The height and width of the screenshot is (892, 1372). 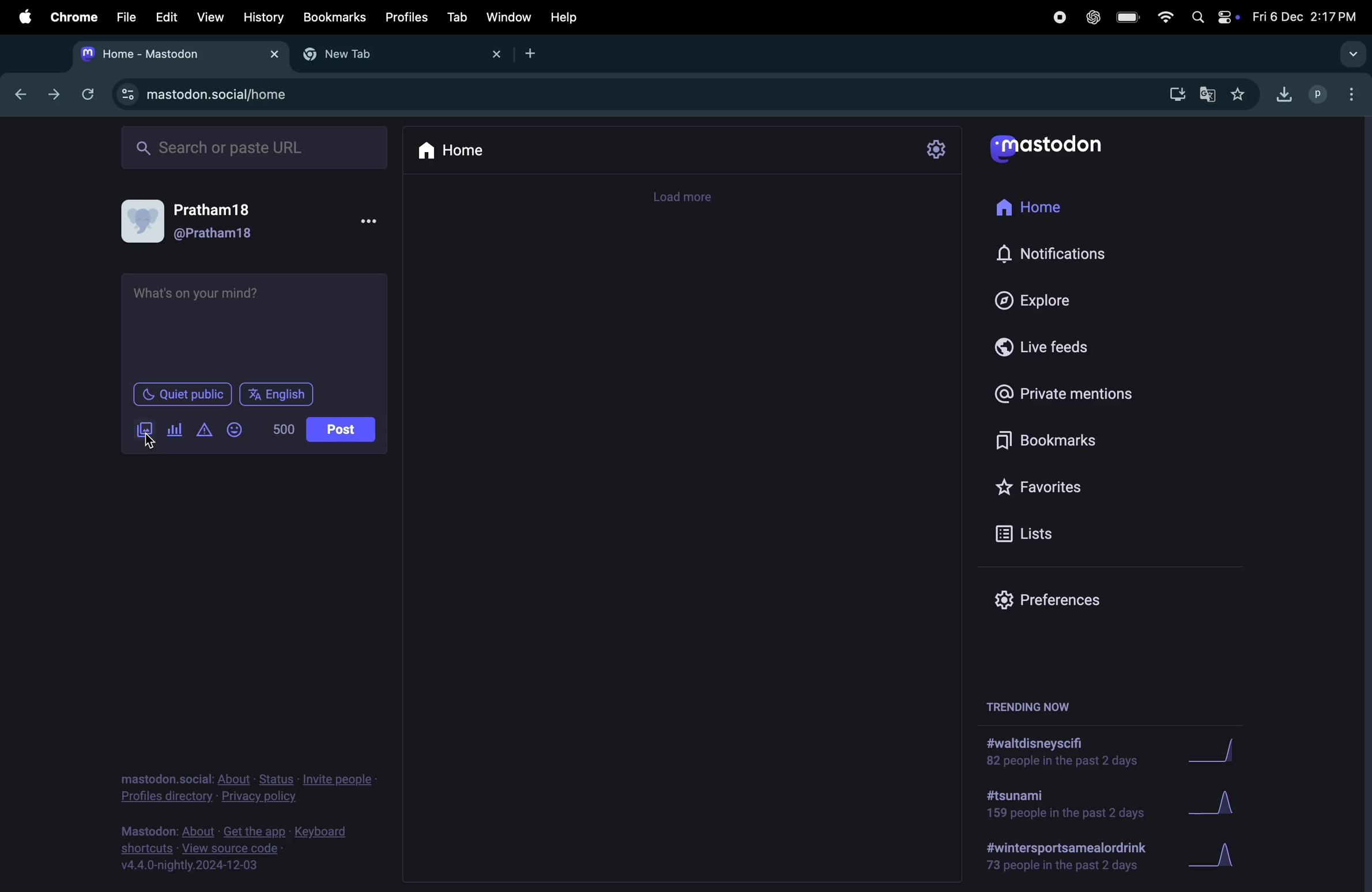 What do you see at coordinates (455, 17) in the screenshot?
I see `tab` at bounding box center [455, 17].